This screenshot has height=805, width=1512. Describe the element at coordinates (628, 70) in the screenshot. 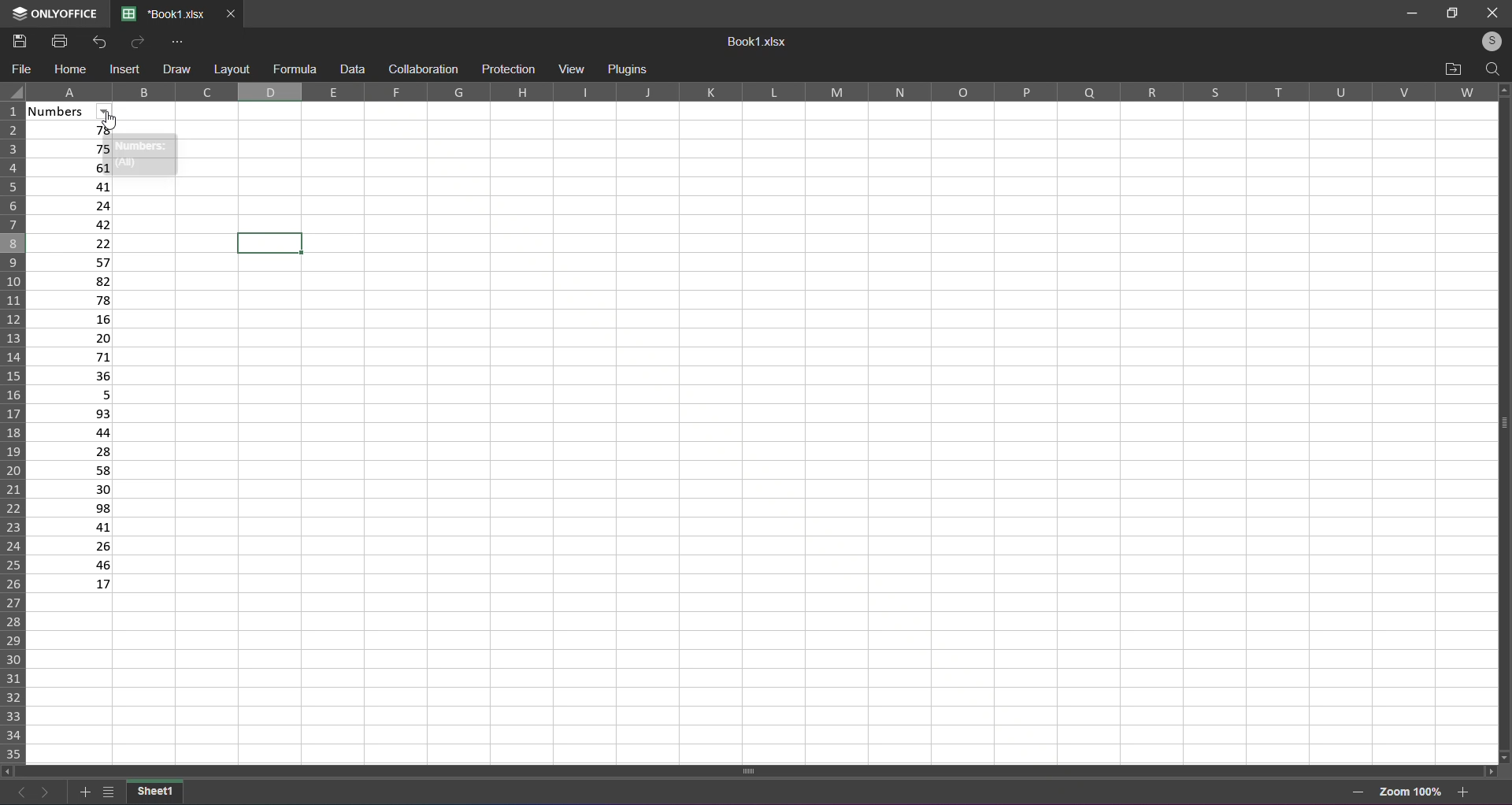

I see `plugins` at that location.